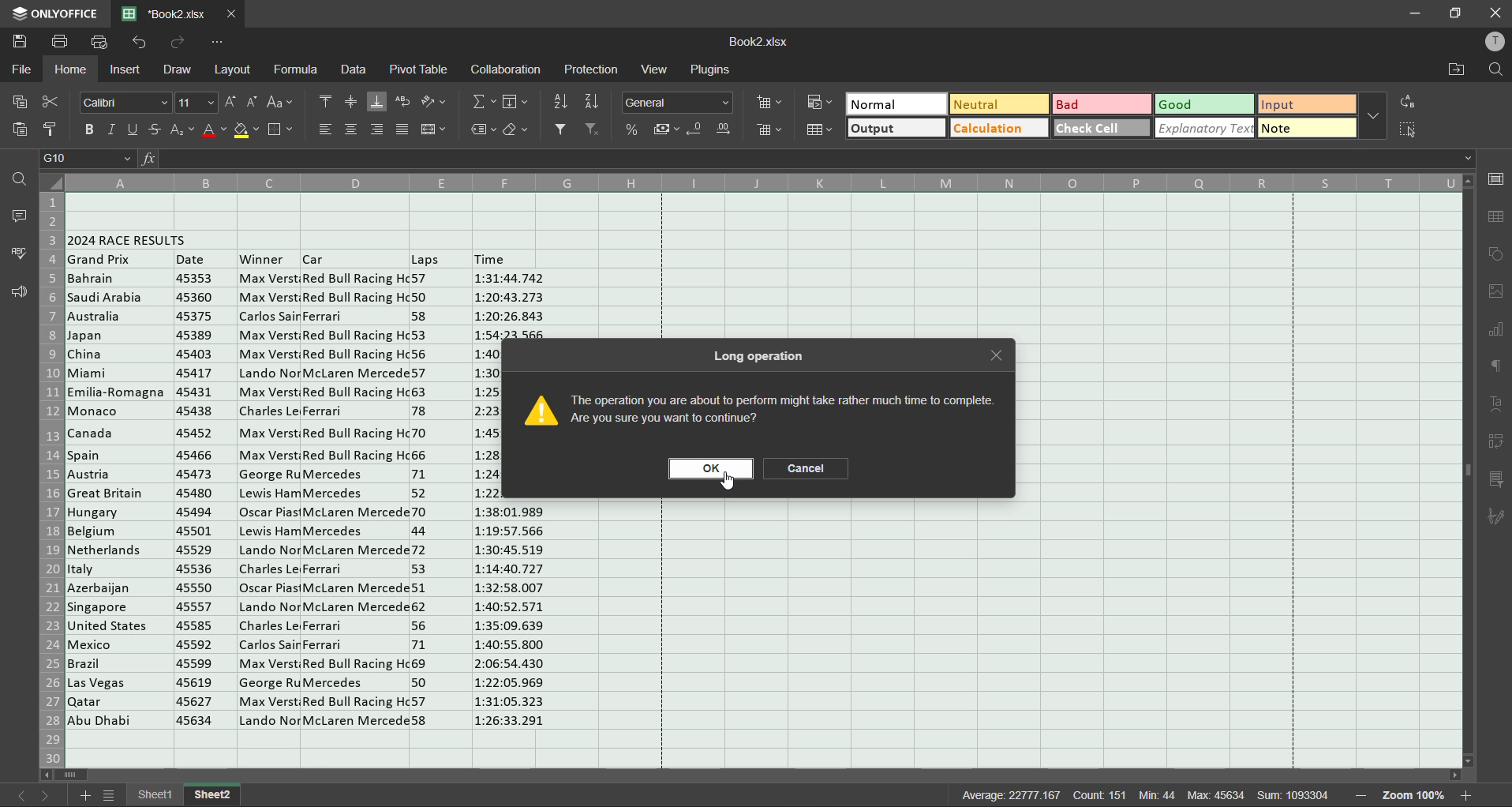  Describe the element at coordinates (1460, 73) in the screenshot. I see `open location` at that location.